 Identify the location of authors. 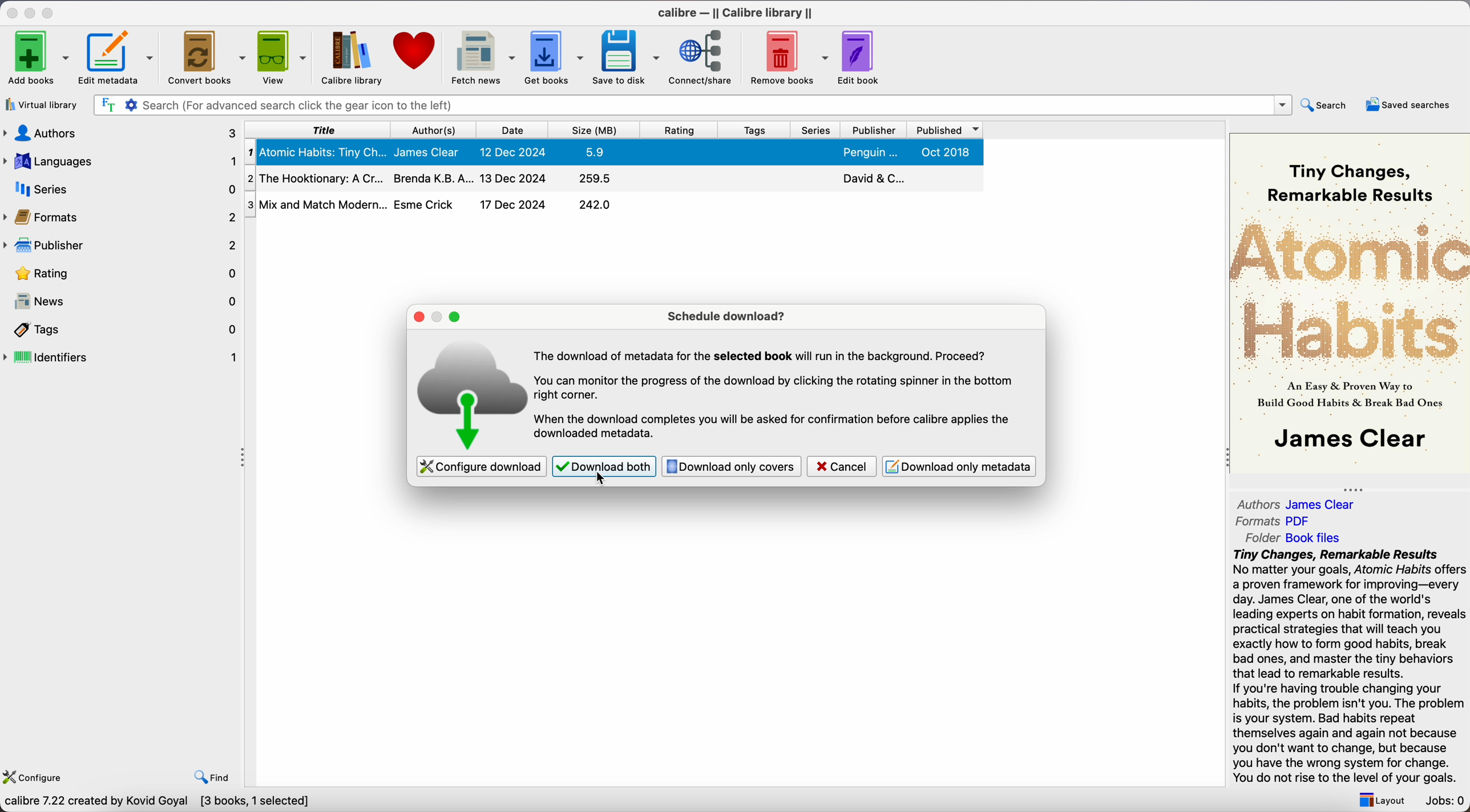
(437, 130).